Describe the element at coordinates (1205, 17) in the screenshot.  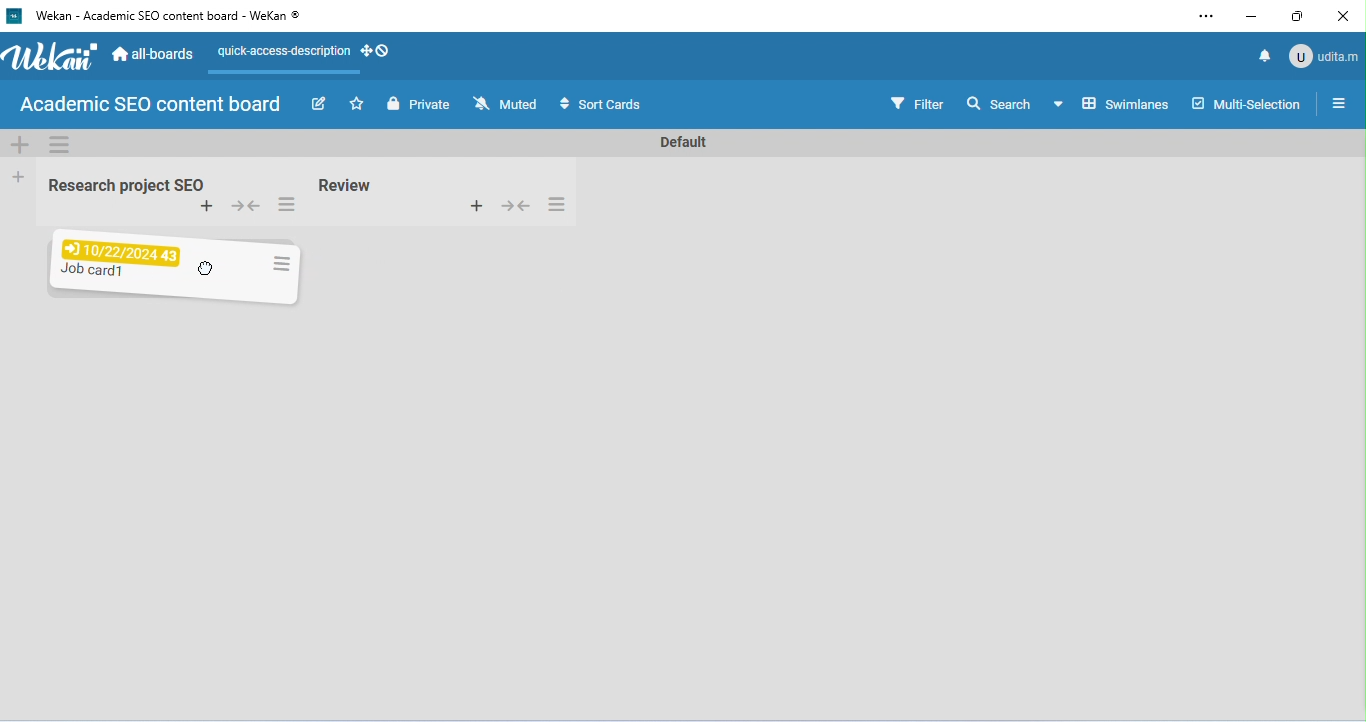
I see `settings and more` at that location.